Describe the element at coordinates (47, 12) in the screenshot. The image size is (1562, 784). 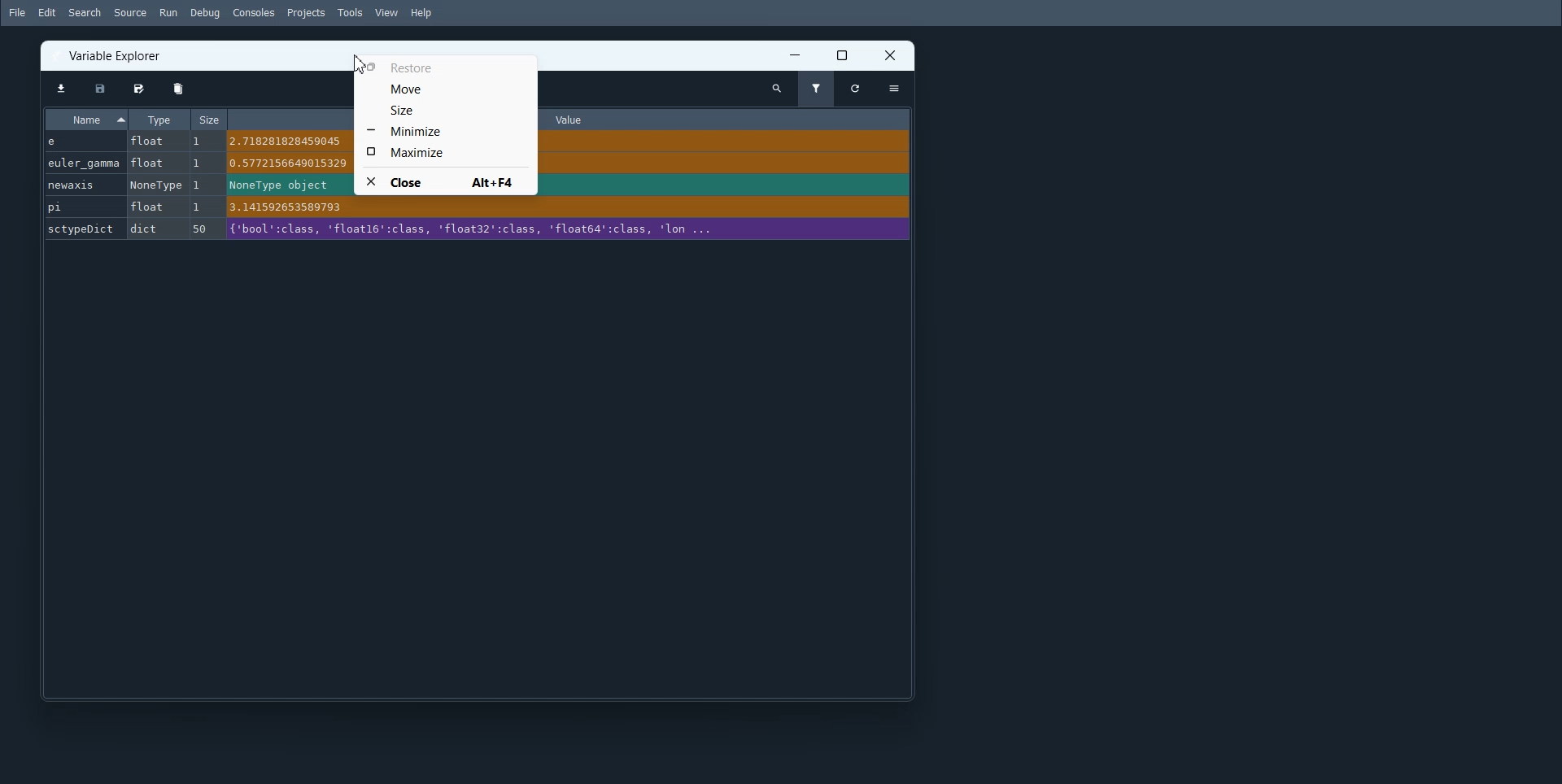
I see `Edit` at that location.